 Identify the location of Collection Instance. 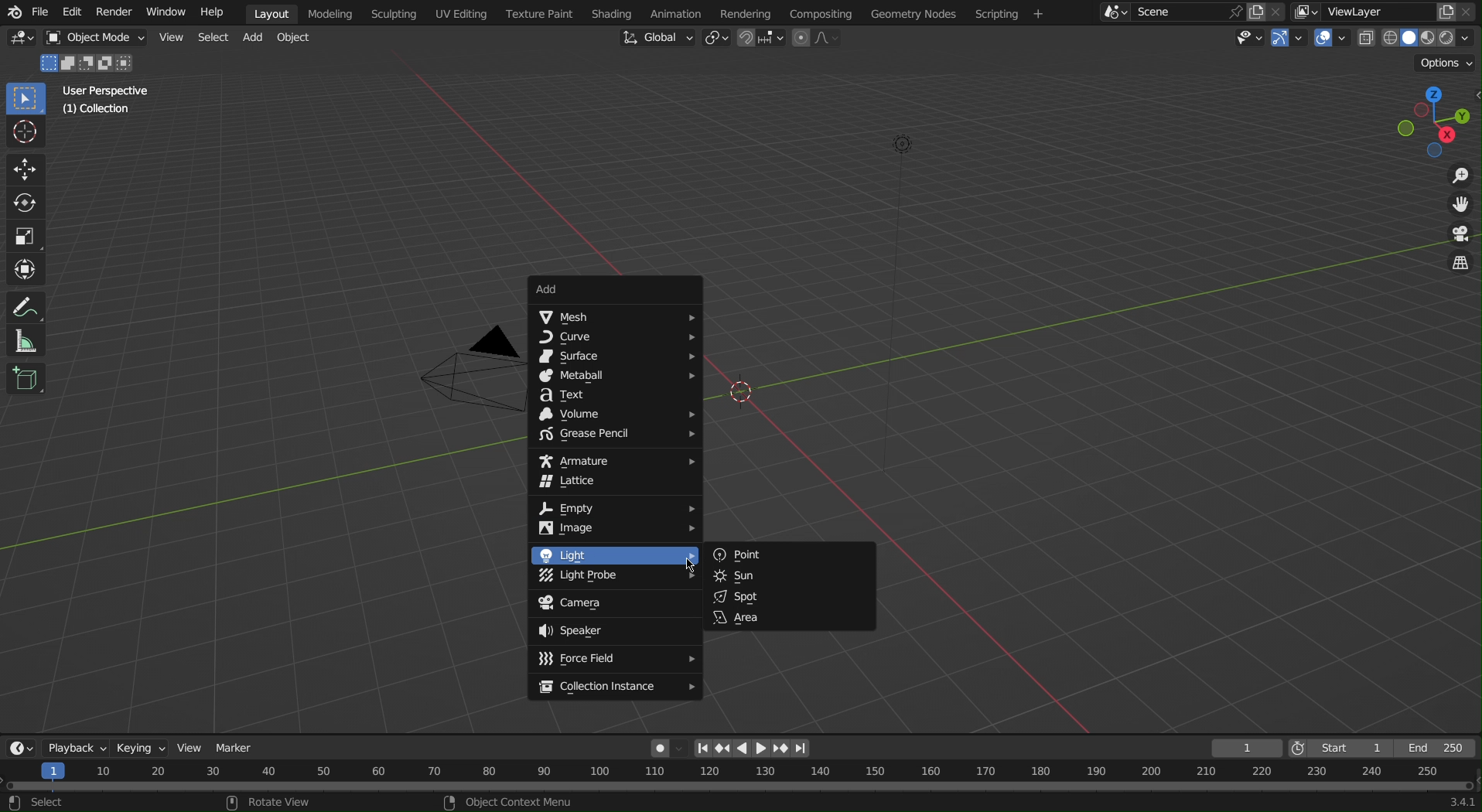
(616, 688).